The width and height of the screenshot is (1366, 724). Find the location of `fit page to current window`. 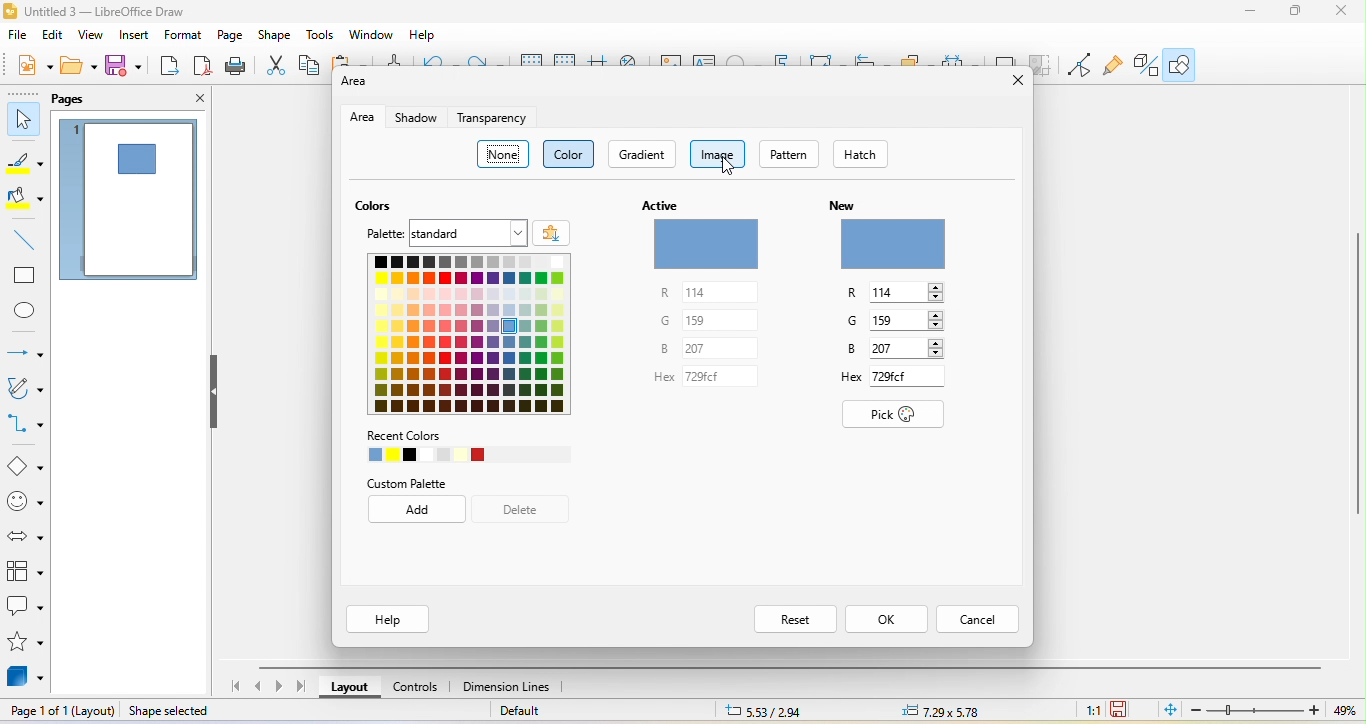

fit page to current window is located at coordinates (1167, 711).